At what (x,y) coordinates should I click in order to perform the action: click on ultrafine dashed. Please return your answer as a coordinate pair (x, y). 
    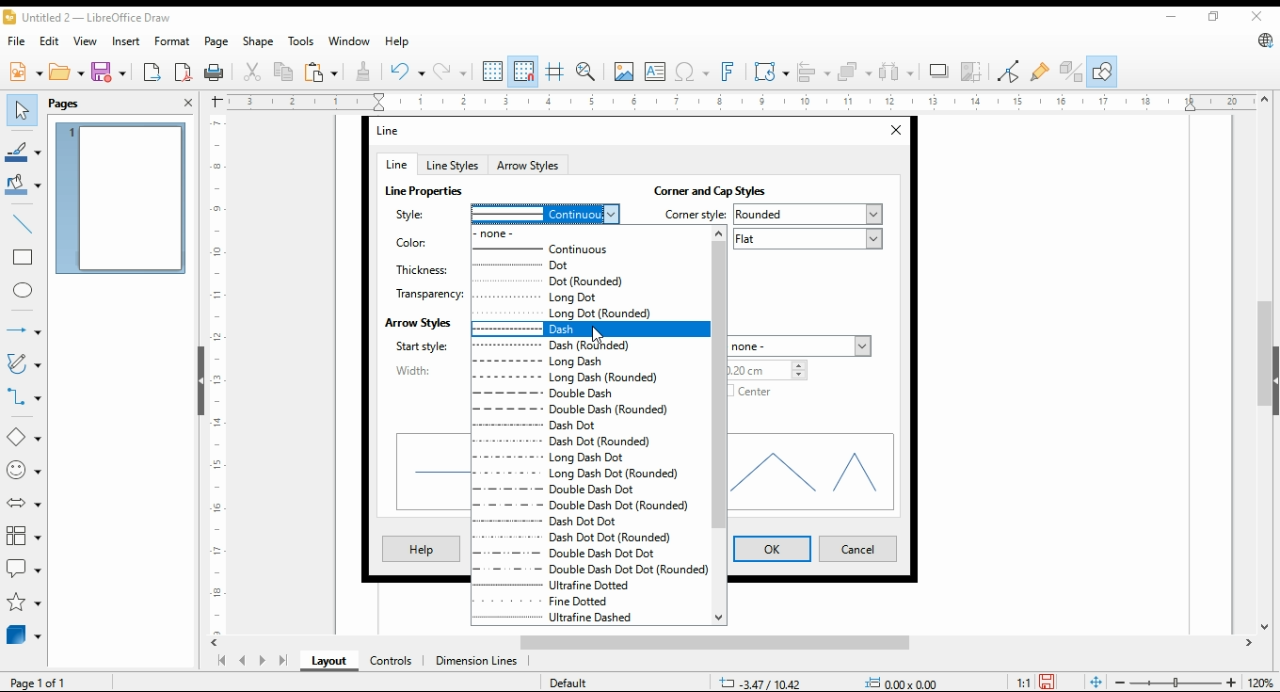
    Looking at the image, I should click on (569, 618).